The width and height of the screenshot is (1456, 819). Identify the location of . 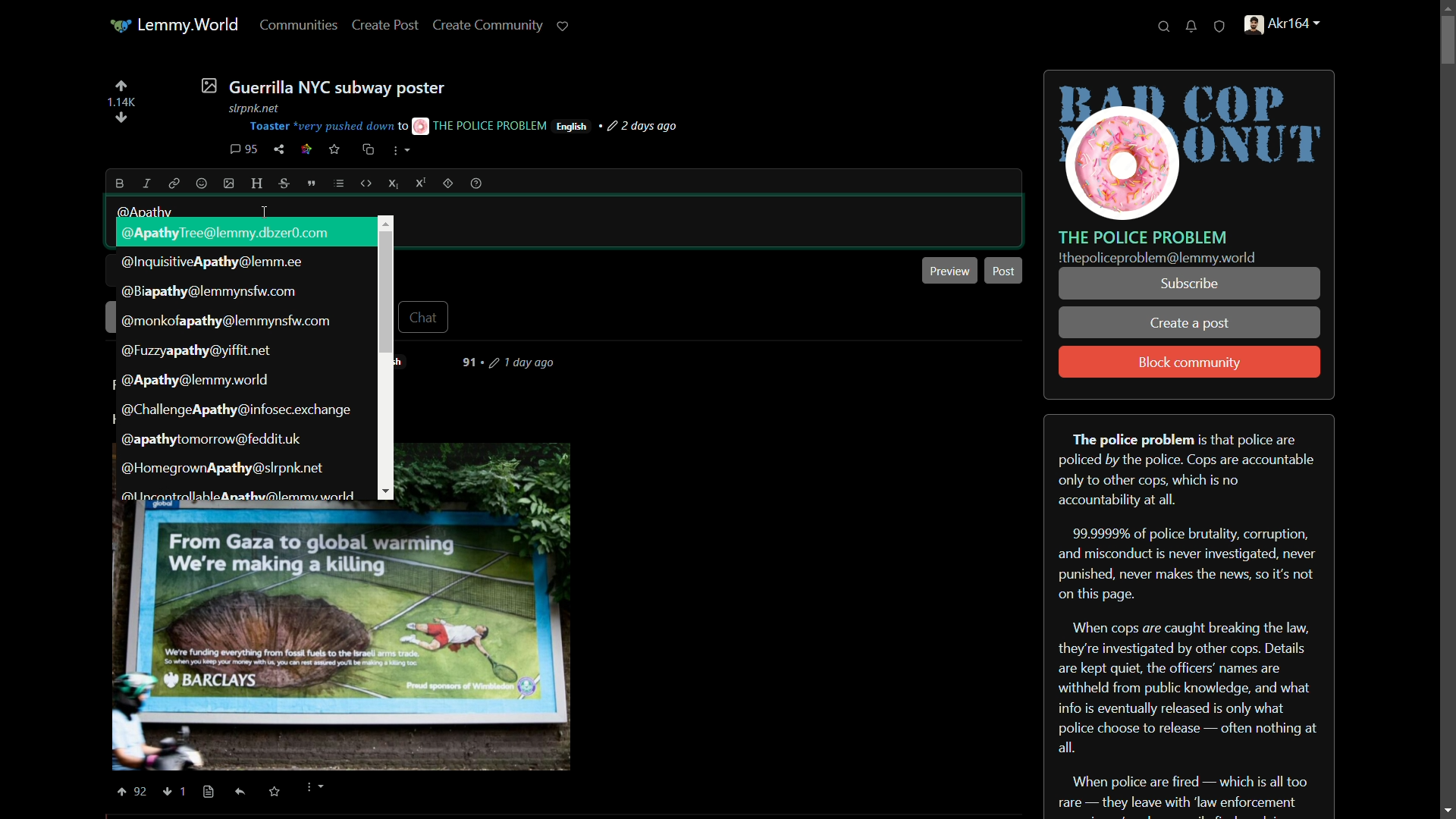
(168, 792).